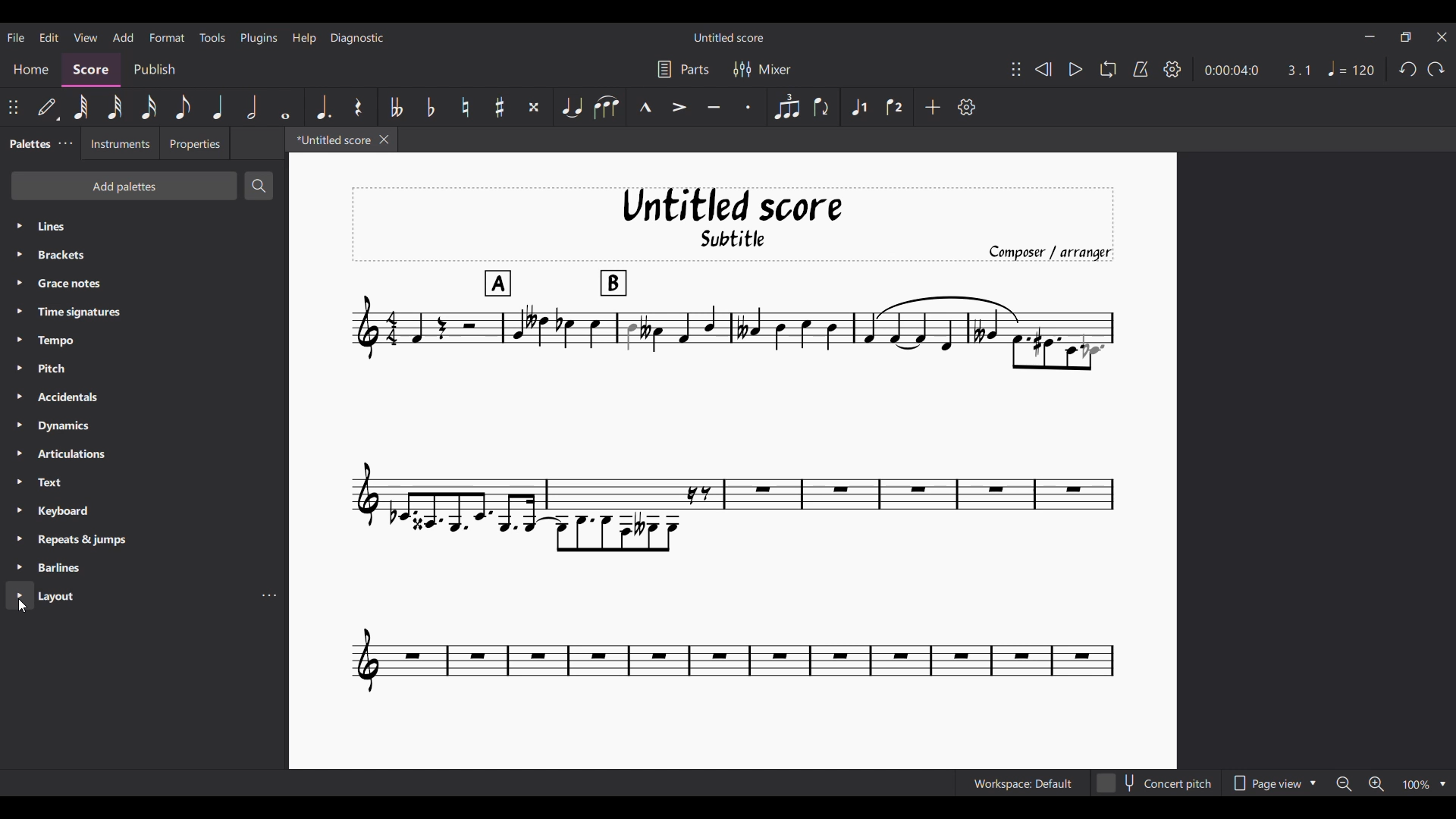 This screenshot has width=1456, height=819. I want to click on Text, so click(144, 482).